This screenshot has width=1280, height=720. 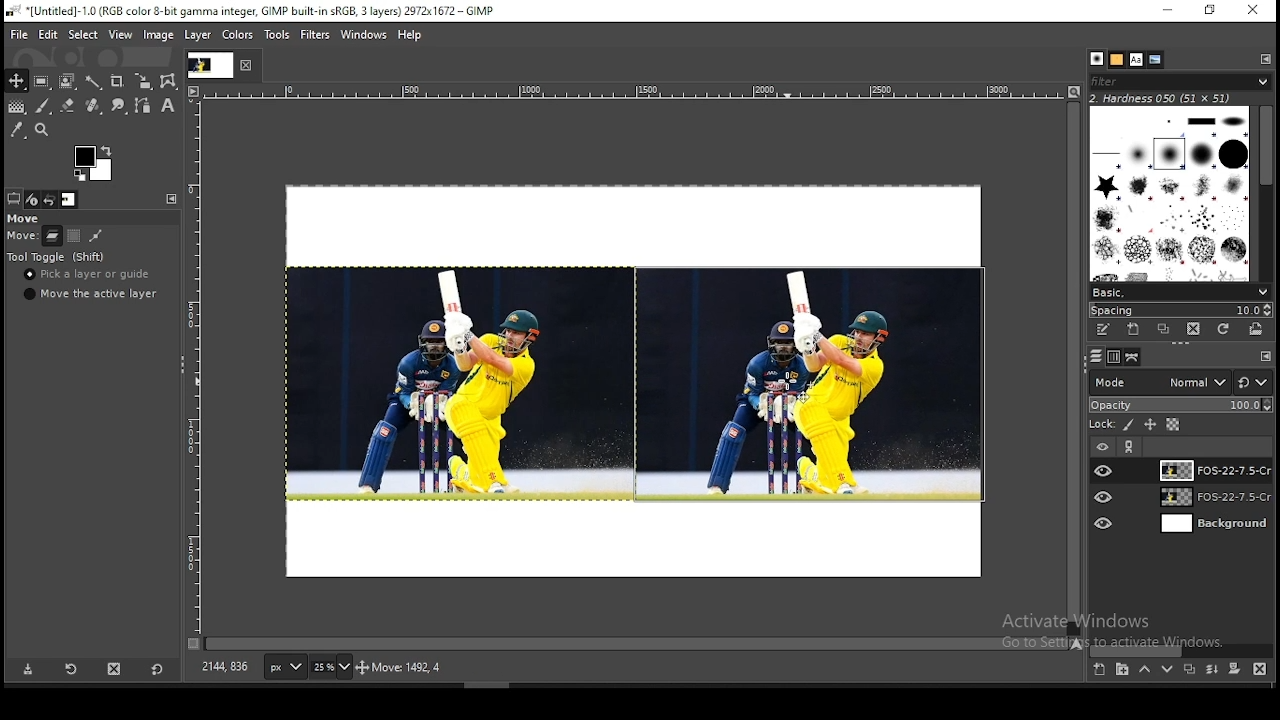 What do you see at coordinates (1144, 671) in the screenshot?
I see `move layer on step up` at bounding box center [1144, 671].